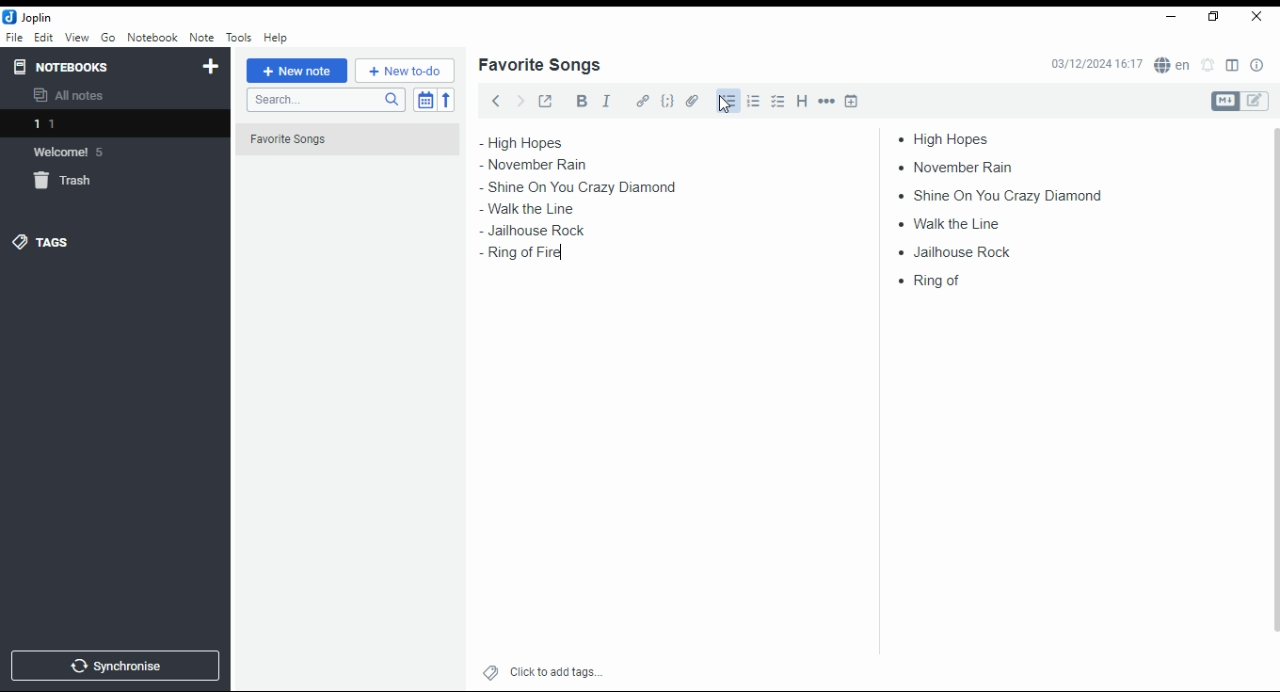  I want to click on icon, so click(30, 17).